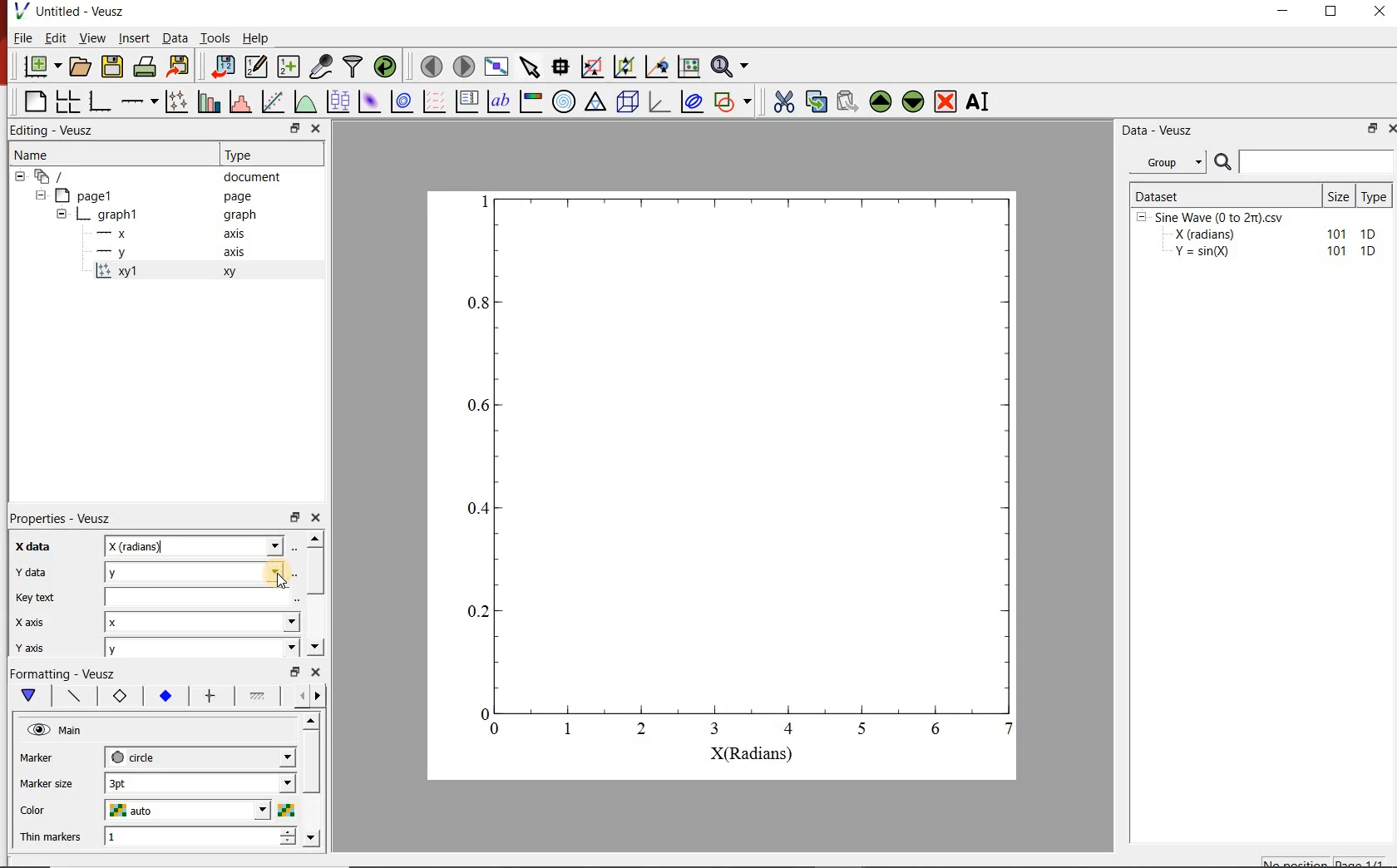 Image resolution: width=1397 pixels, height=868 pixels. I want to click on Max, so click(37, 595).